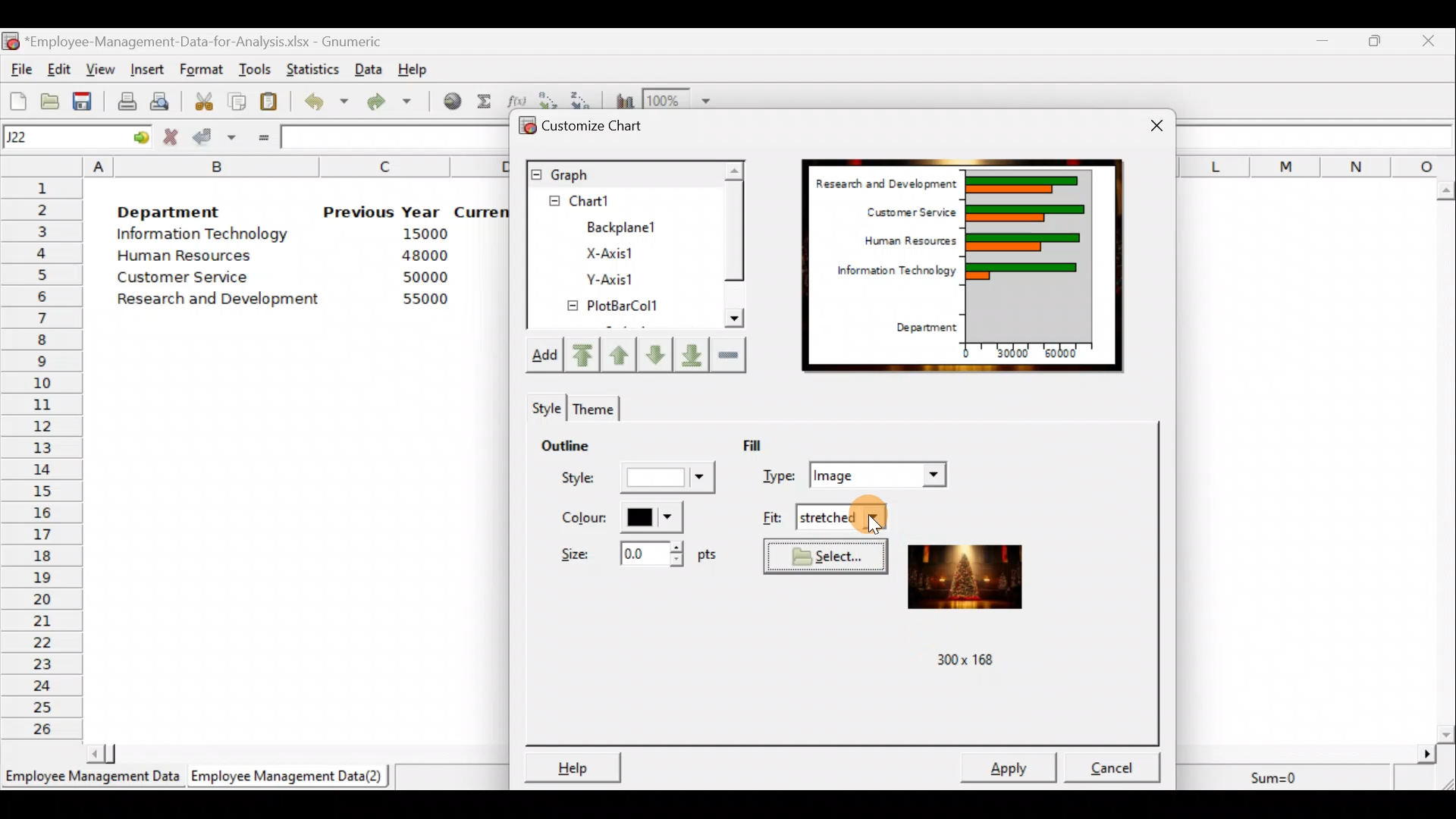 Image resolution: width=1456 pixels, height=819 pixels. Describe the element at coordinates (255, 67) in the screenshot. I see `Tools` at that location.